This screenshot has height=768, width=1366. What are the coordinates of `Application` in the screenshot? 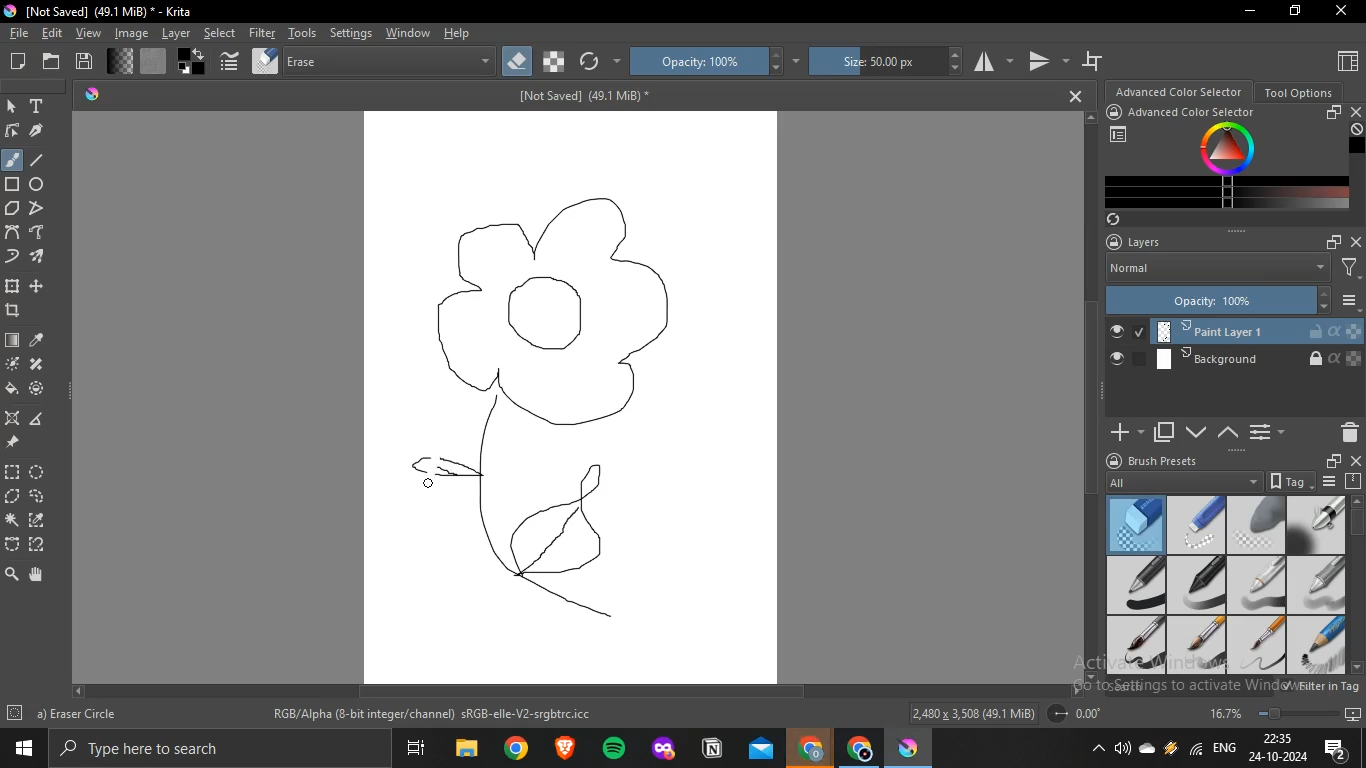 It's located at (614, 749).